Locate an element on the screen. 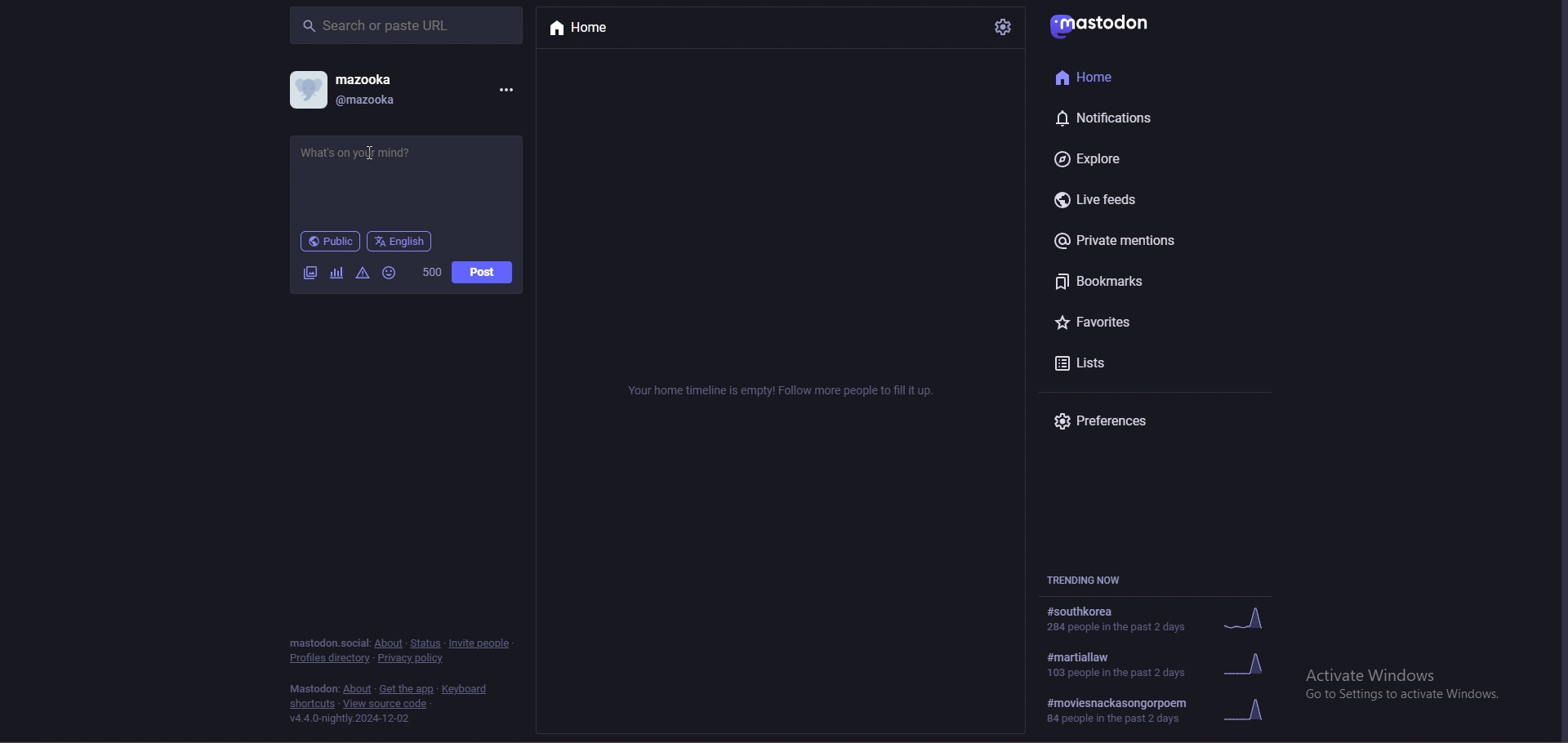  private mentions is located at coordinates (1136, 242).